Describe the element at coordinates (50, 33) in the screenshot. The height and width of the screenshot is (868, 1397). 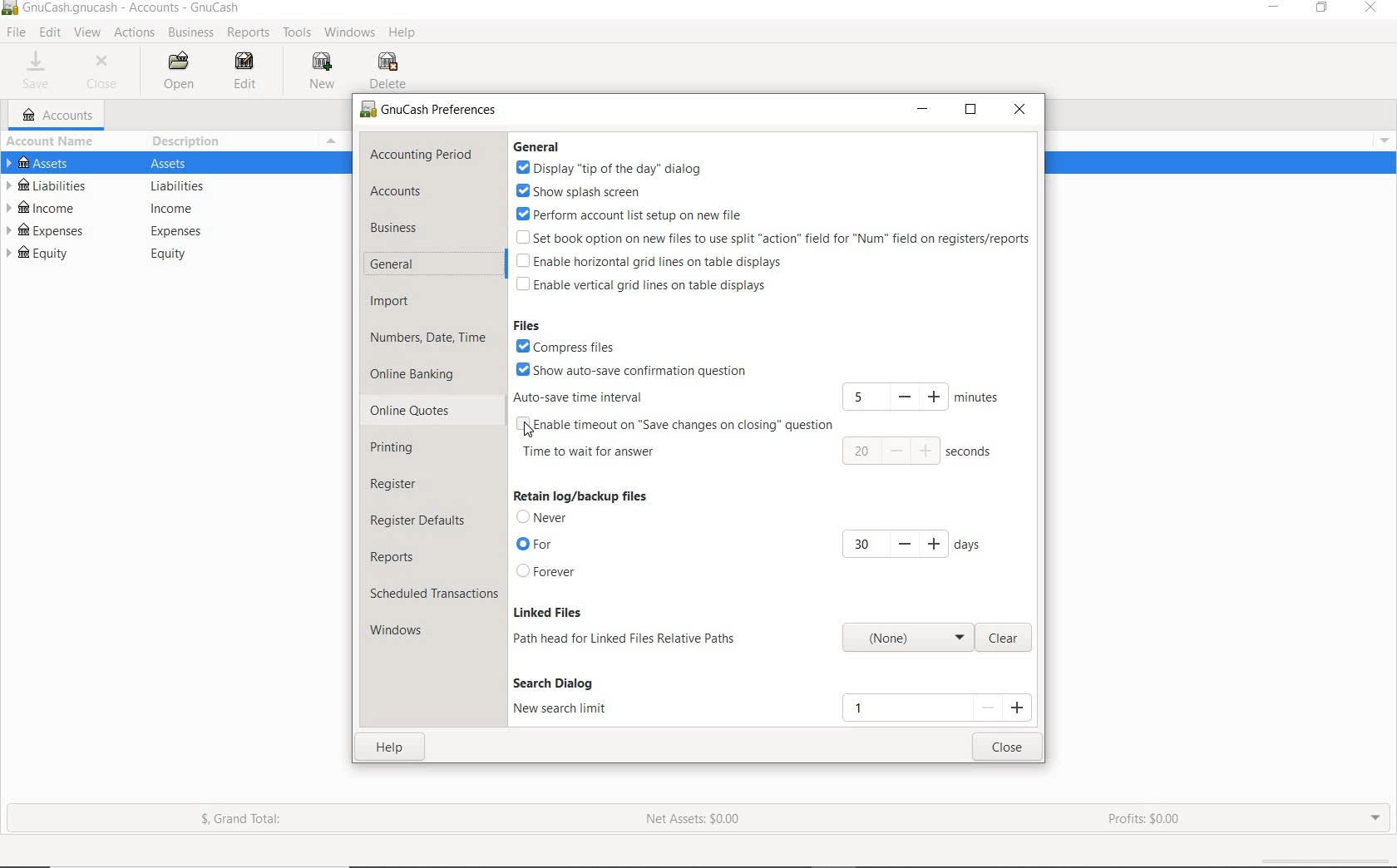
I see `EDIT` at that location.